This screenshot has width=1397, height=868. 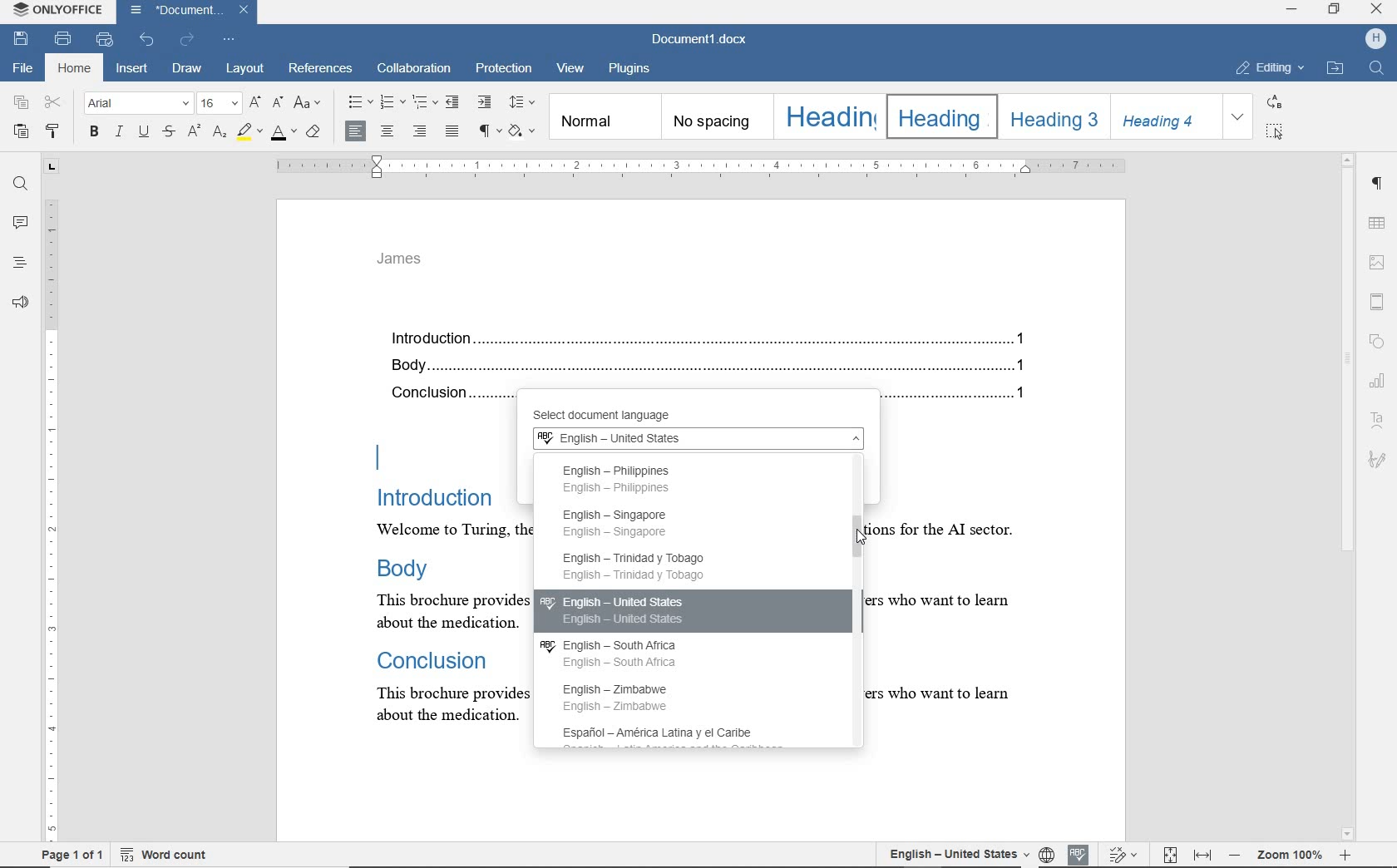 I want to click on view, so click(x=573, y=71).